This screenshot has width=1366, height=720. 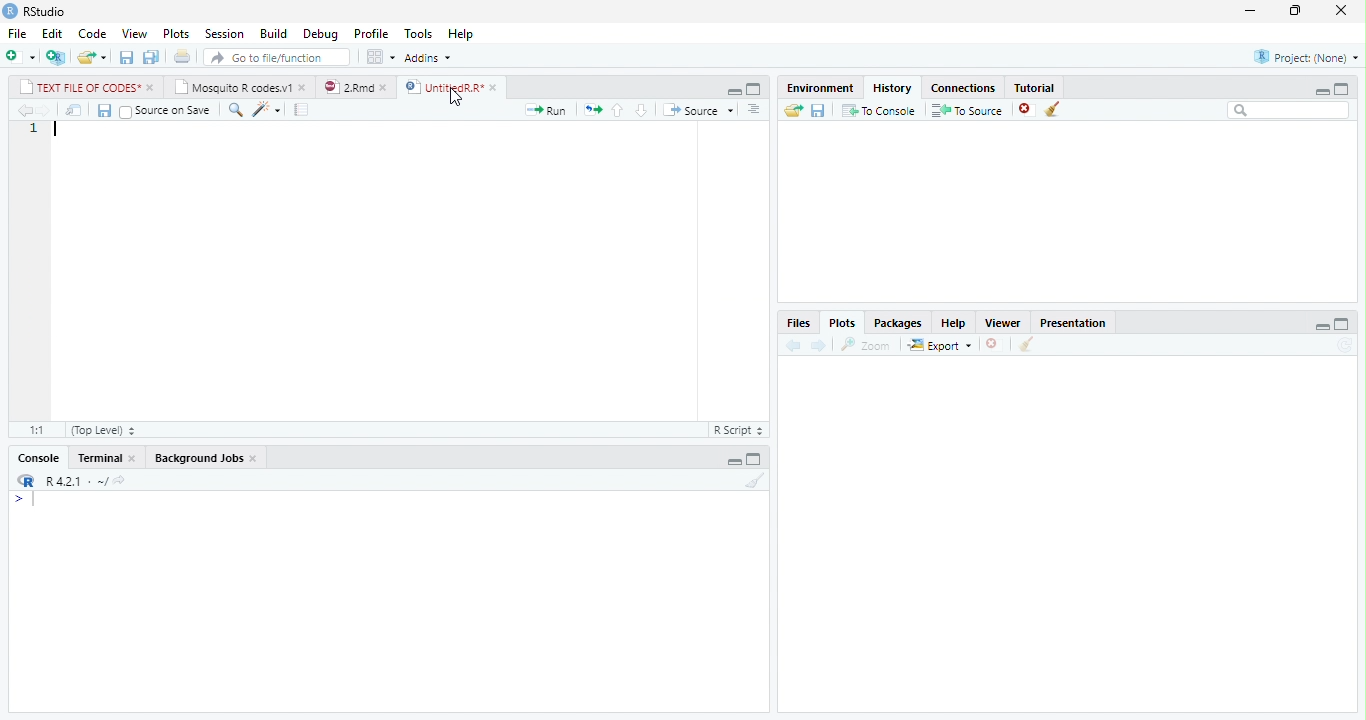 I want to click on Debug, so click(x=321, y=34).